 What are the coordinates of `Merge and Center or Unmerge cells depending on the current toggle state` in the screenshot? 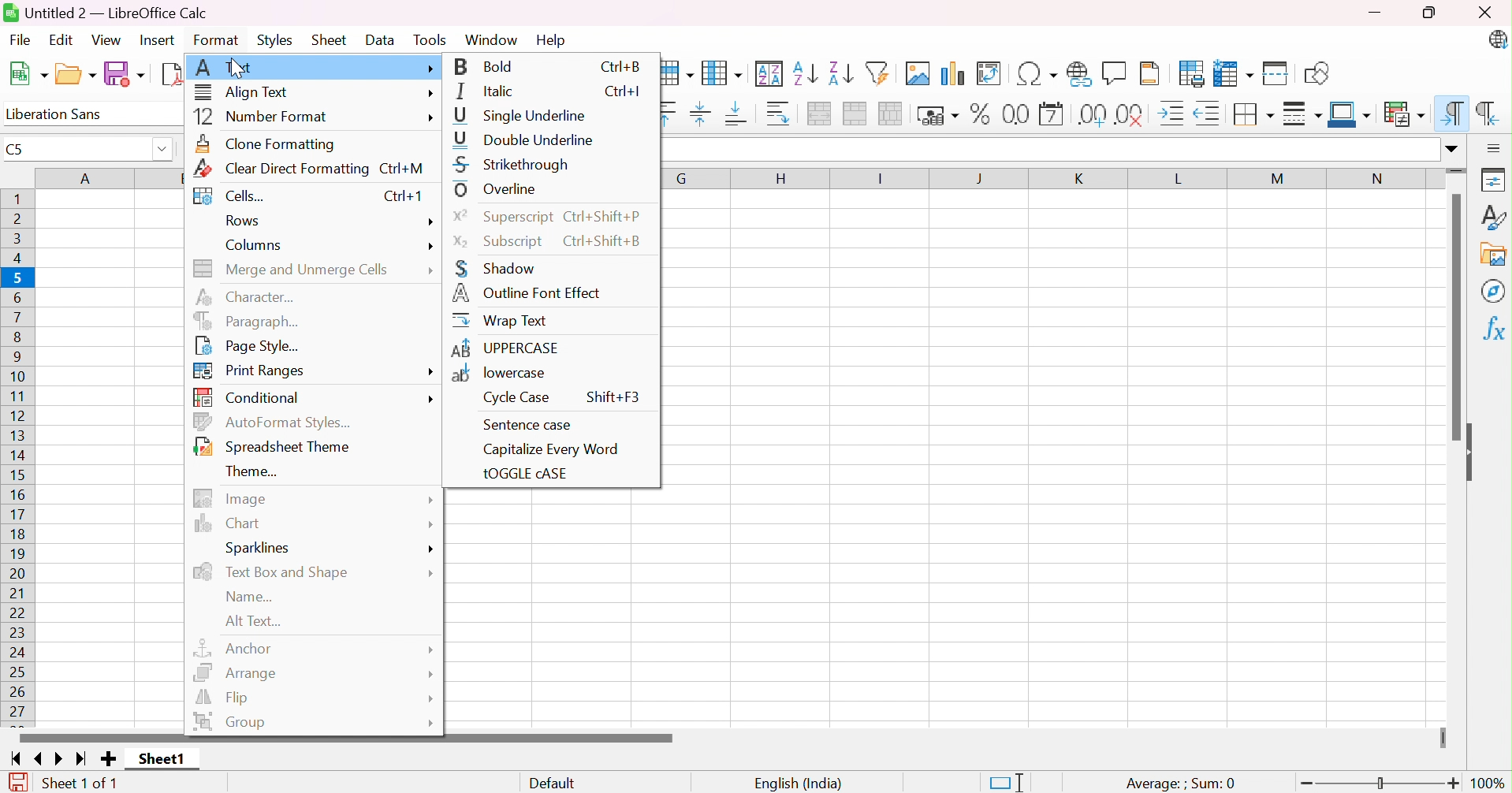 It's located at (821, 114).